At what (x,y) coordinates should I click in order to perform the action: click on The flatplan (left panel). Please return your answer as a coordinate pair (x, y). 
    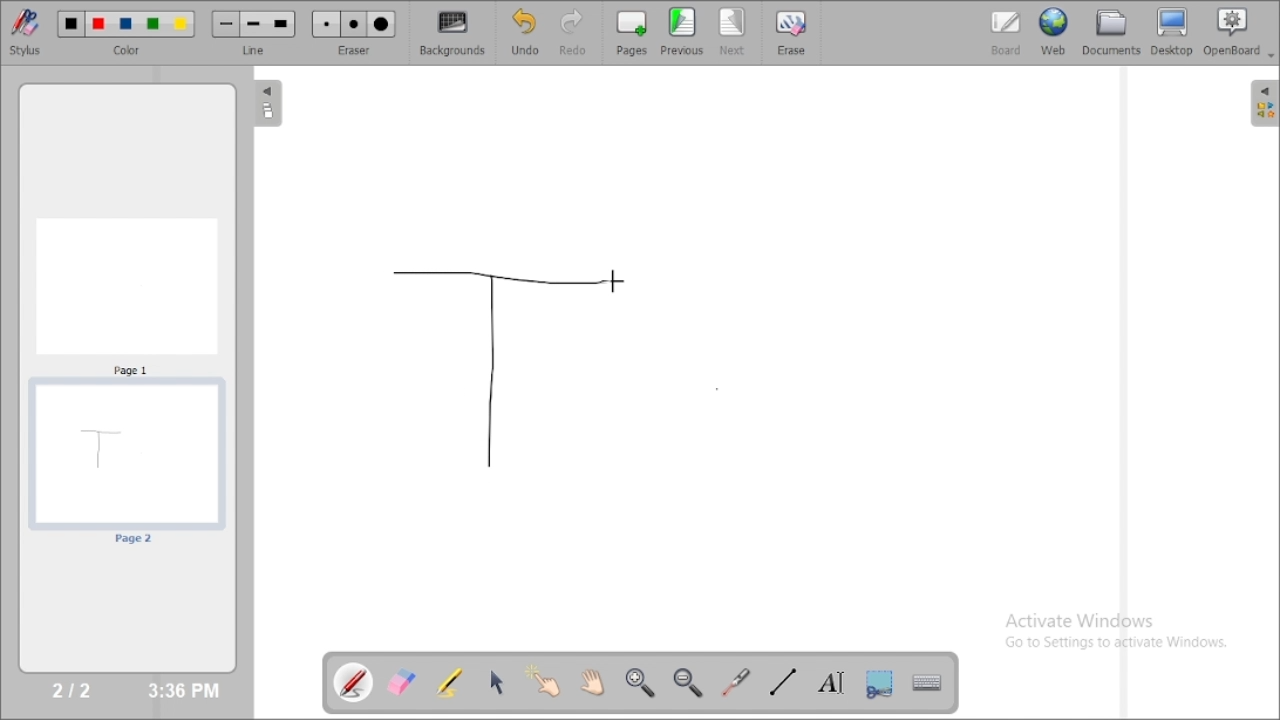
    Looking at the image, I should click on (266, 105).